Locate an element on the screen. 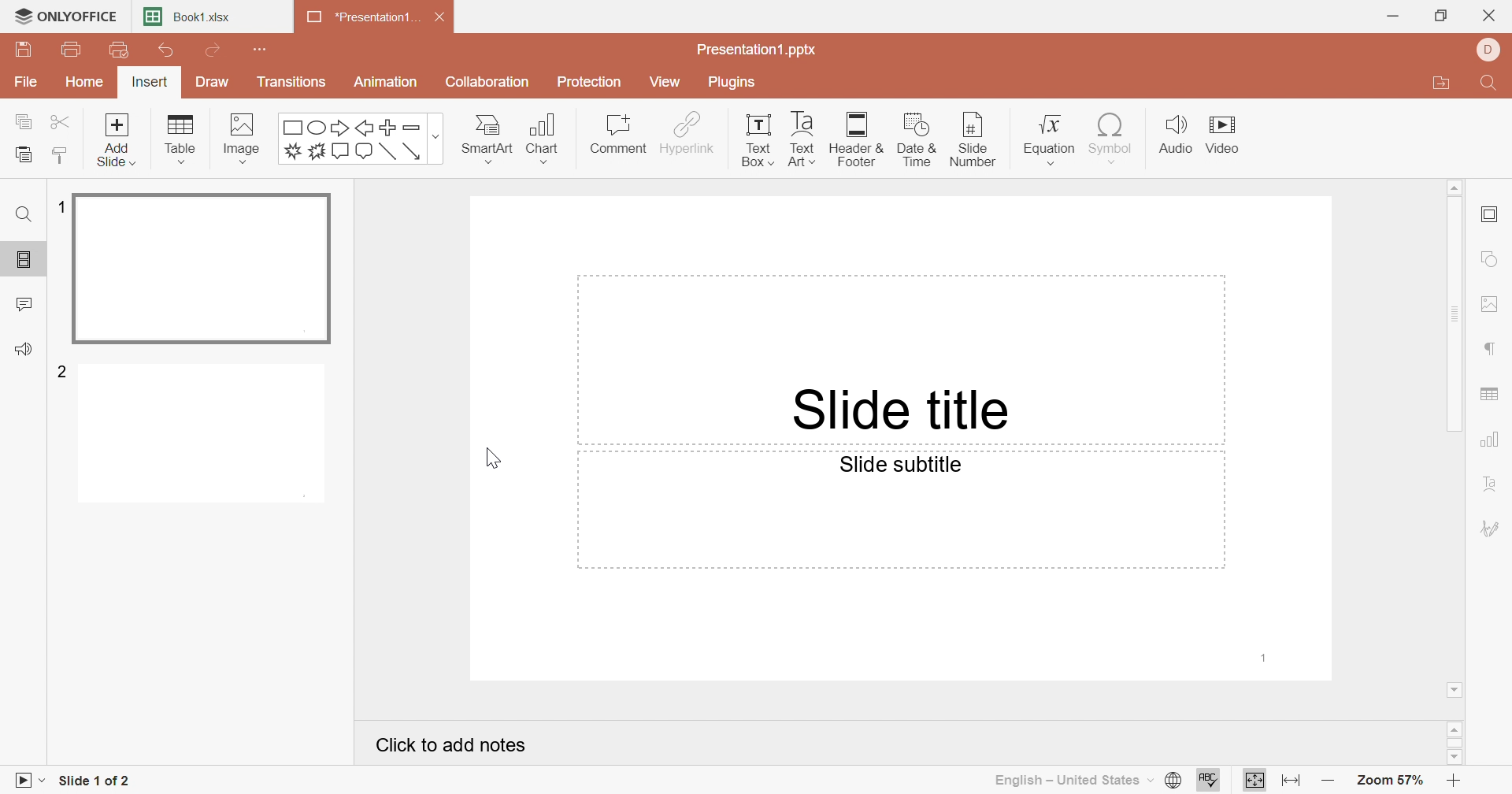 The image size is (1512, 794). Cursor is located at coordinates (489, 458).